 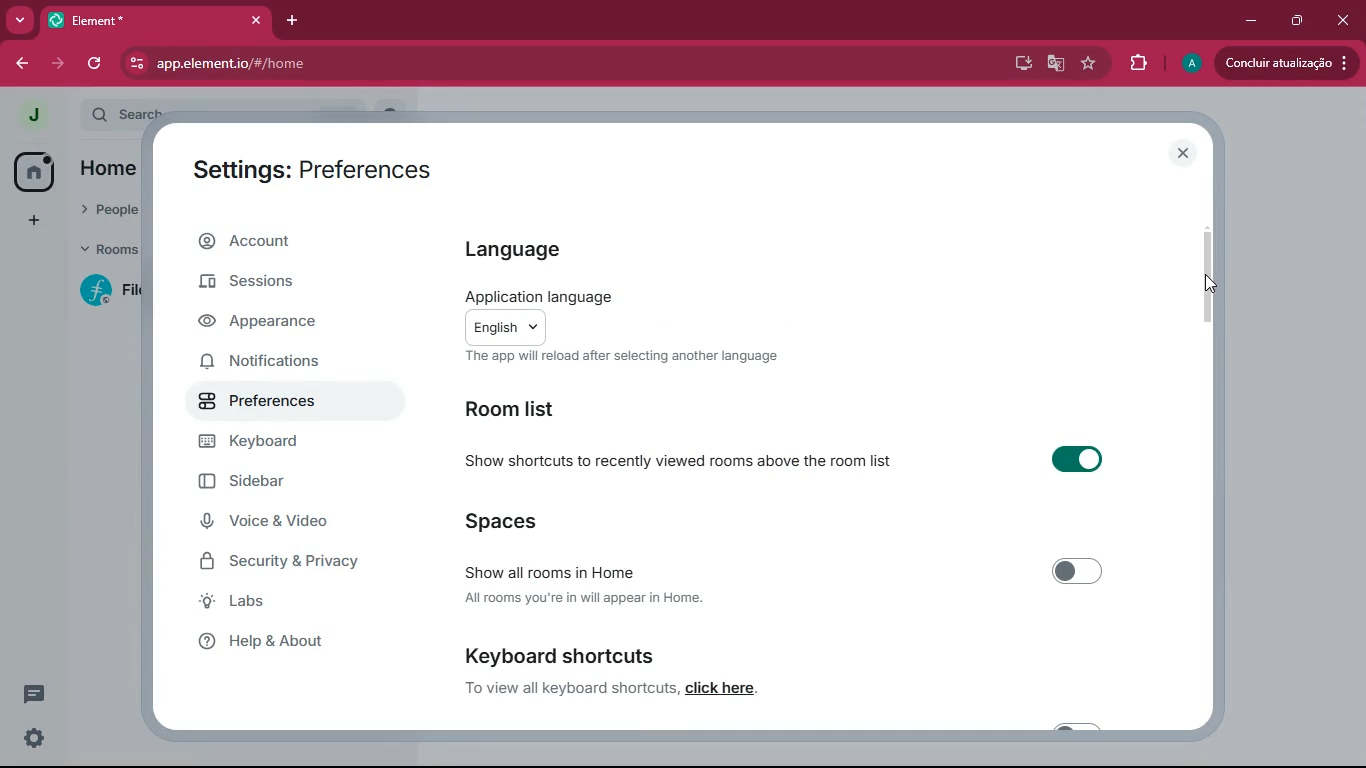 I want to click on toggle on/off, so click(x=1079, y=572).